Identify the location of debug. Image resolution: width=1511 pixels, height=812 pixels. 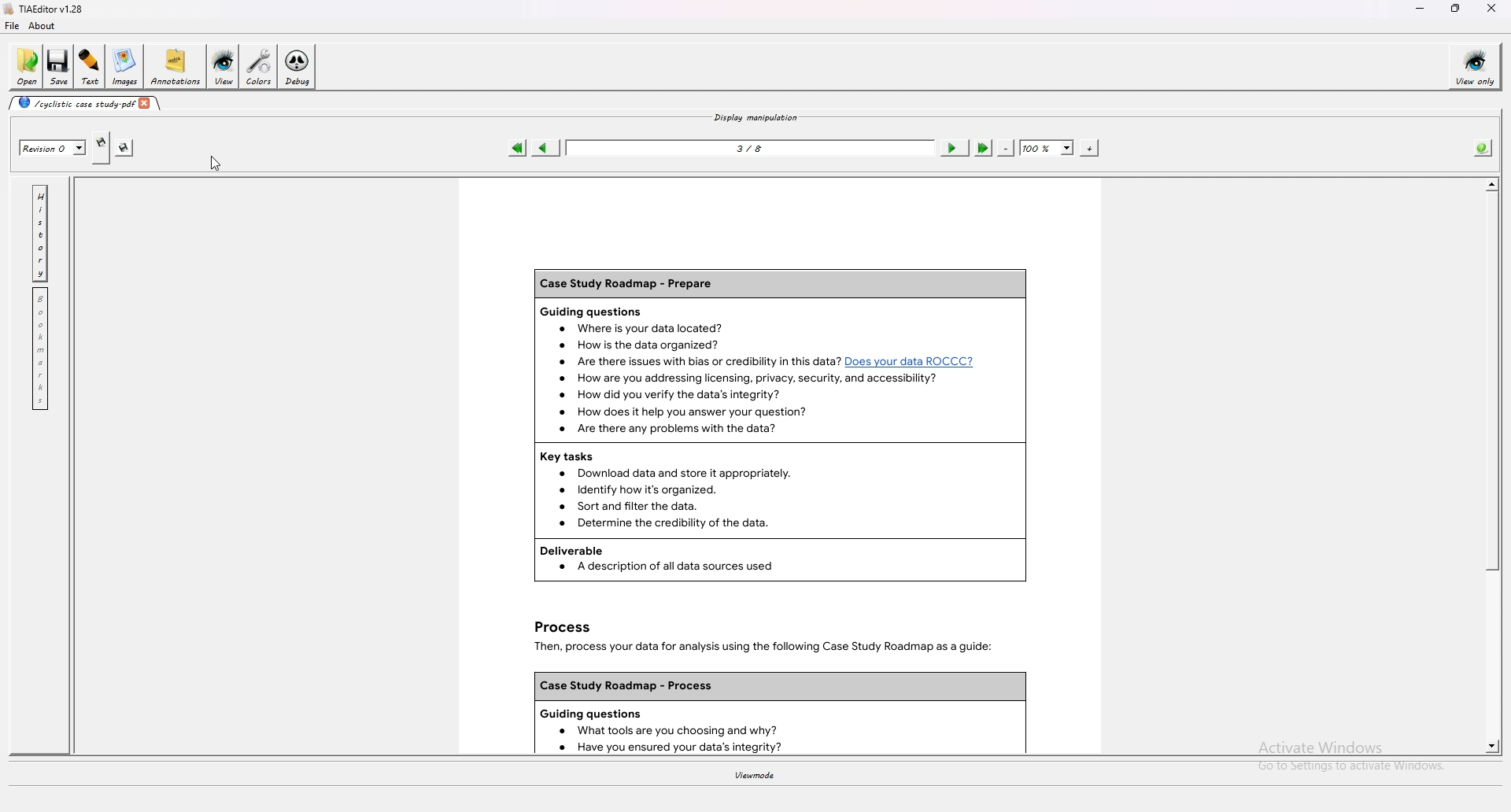
(297, 67).